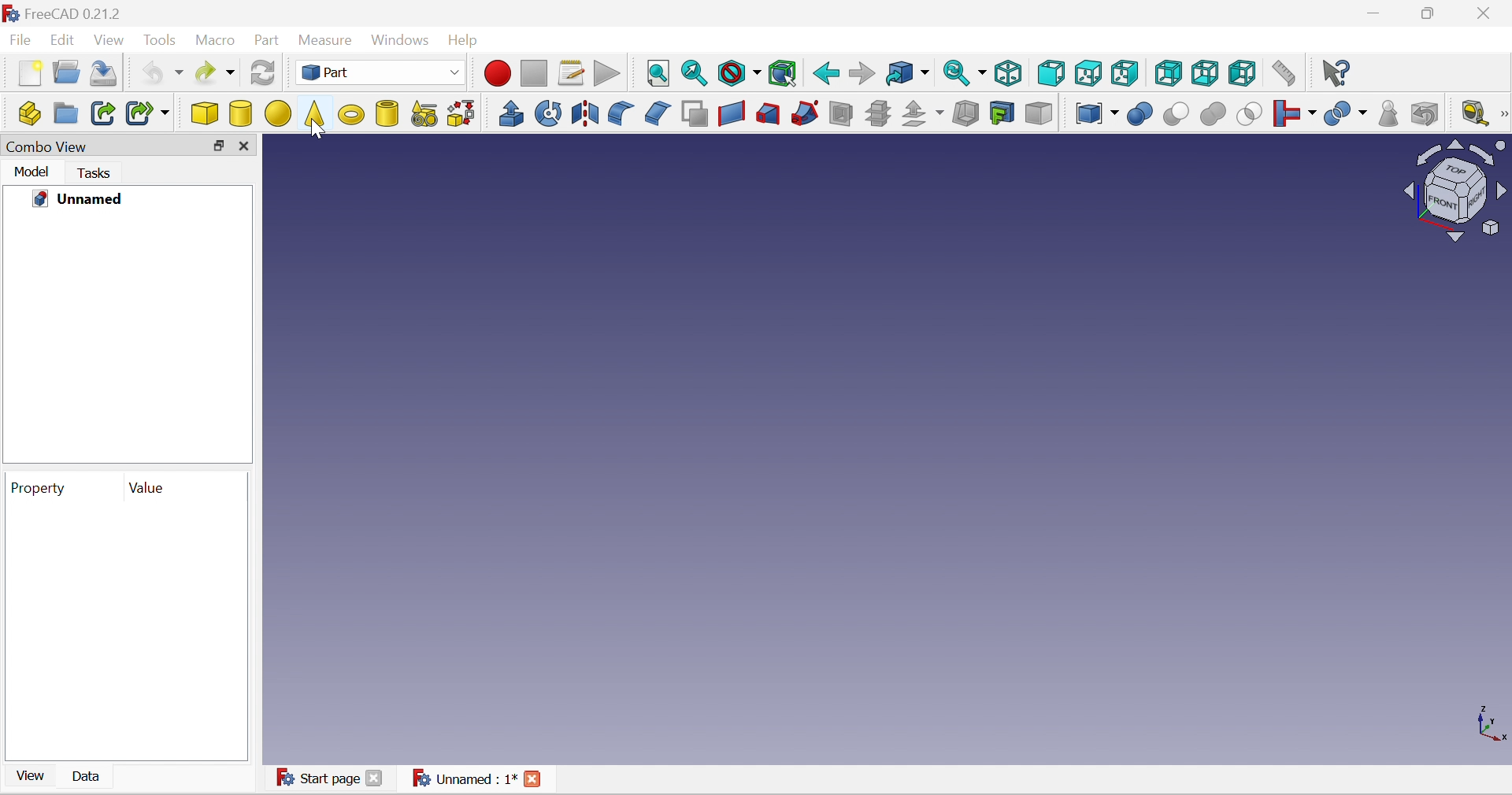  I want to click on Create part, so click(29, 112).